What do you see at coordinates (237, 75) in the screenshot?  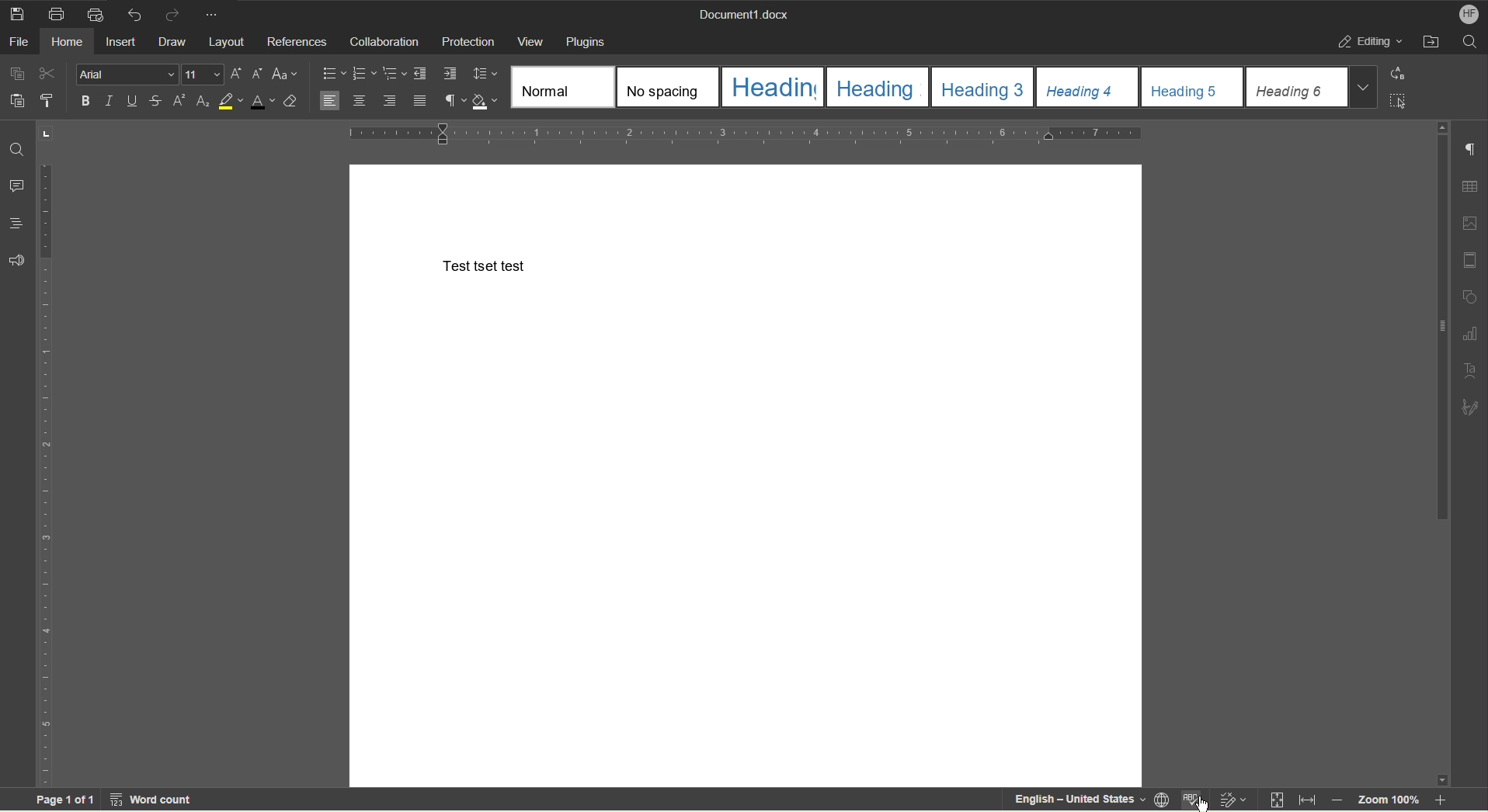 I see `Increase Font Size` at bounding box center [237, 75].